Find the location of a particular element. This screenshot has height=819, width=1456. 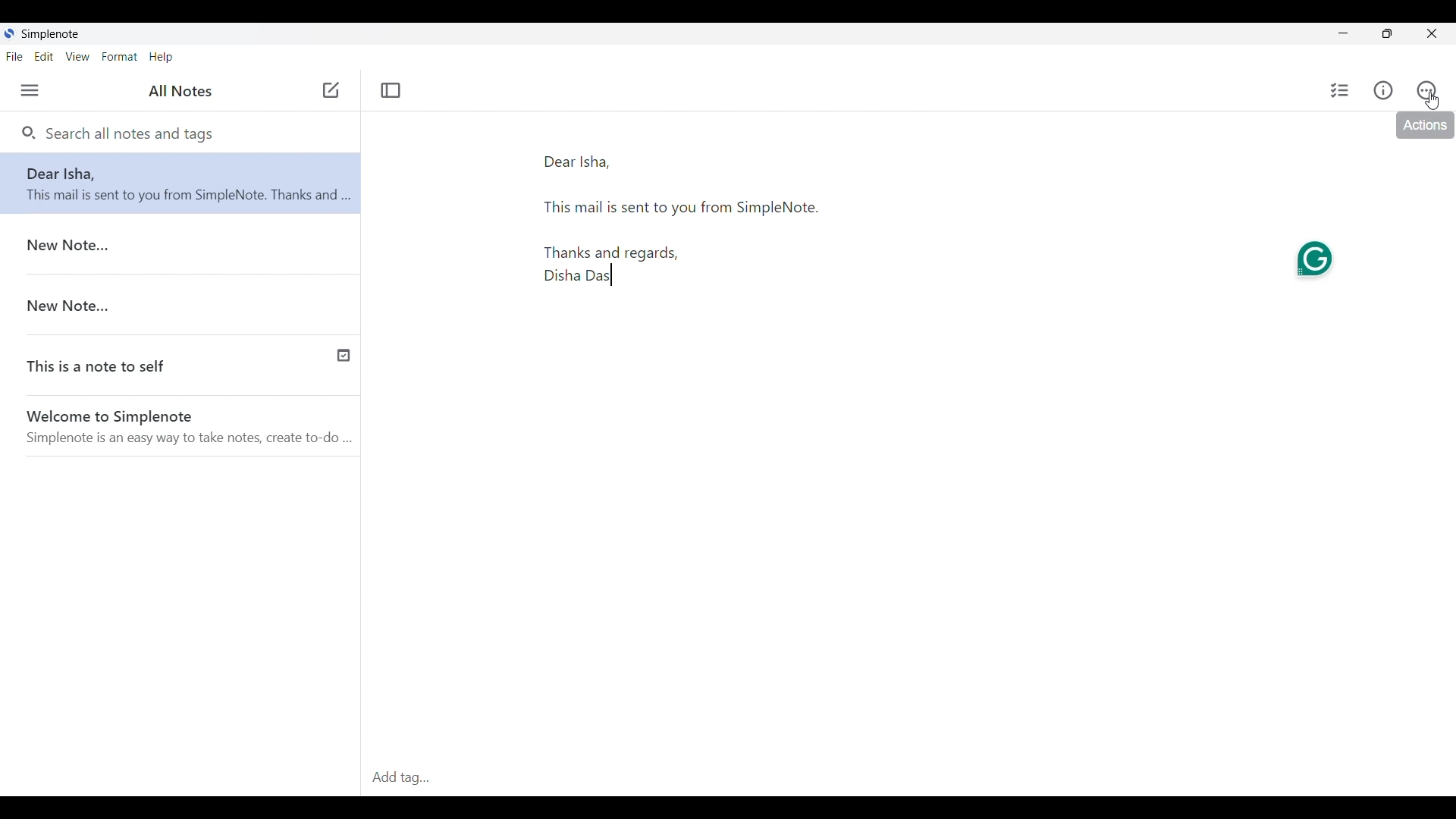

Welcome to Simplenote is located at coordinates (186, 422).